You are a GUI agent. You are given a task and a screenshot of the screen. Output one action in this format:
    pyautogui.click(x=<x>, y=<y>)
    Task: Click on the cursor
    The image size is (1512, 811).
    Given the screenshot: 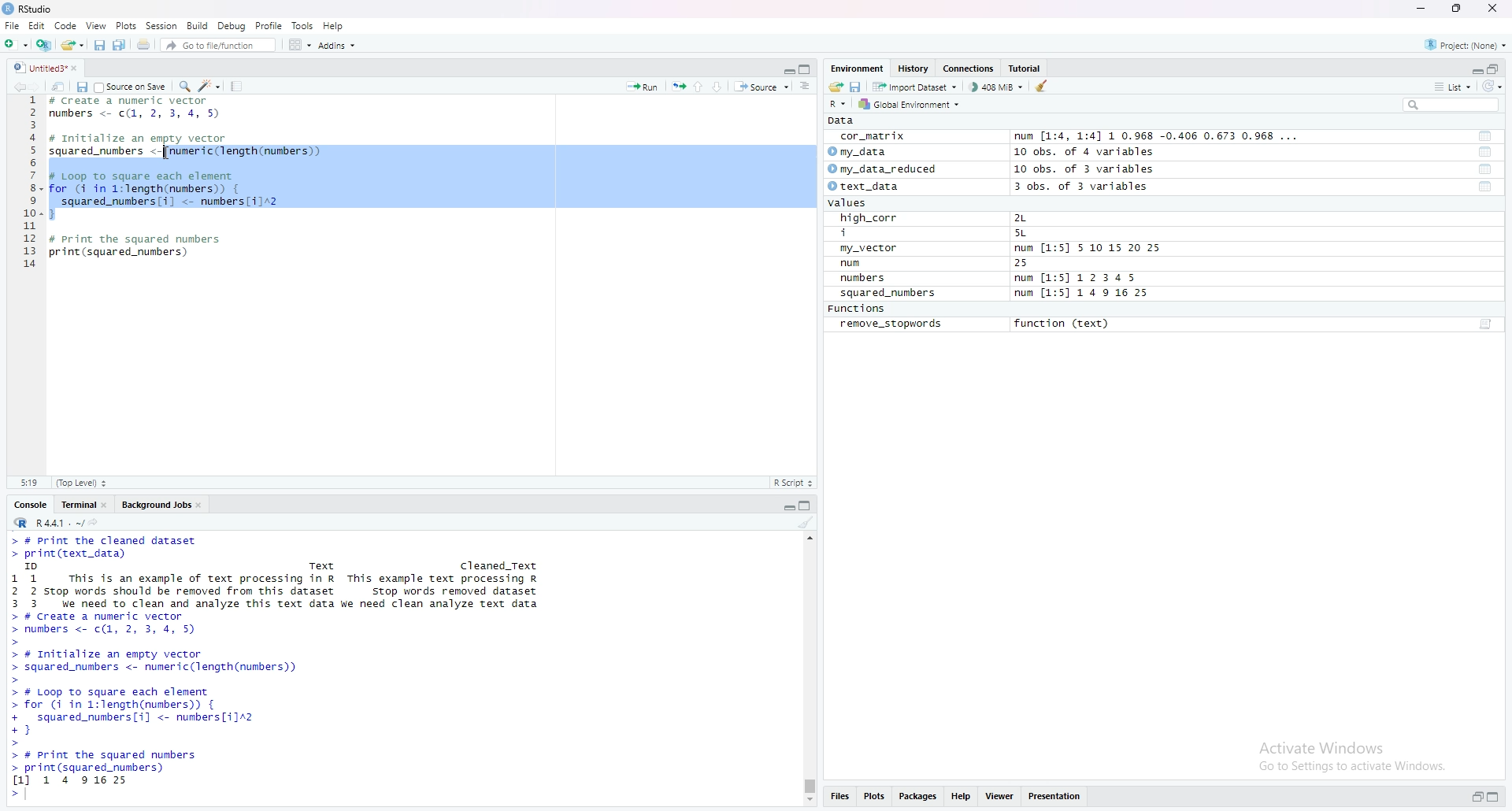 What is the action you would take?
    pyautogui.click(x=165, y=154)
    